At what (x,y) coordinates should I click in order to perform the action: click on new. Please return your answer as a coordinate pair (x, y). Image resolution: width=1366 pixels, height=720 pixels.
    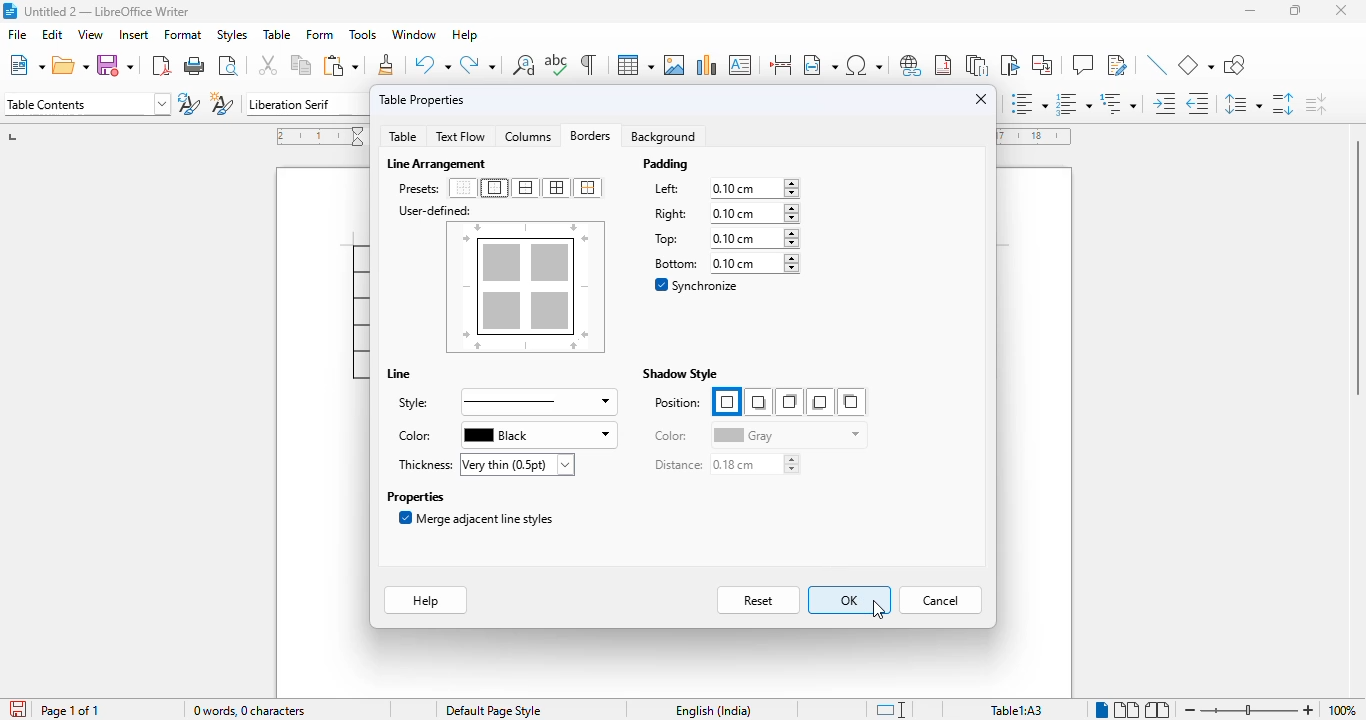
    Looking at the image, I should click on (27, 65).